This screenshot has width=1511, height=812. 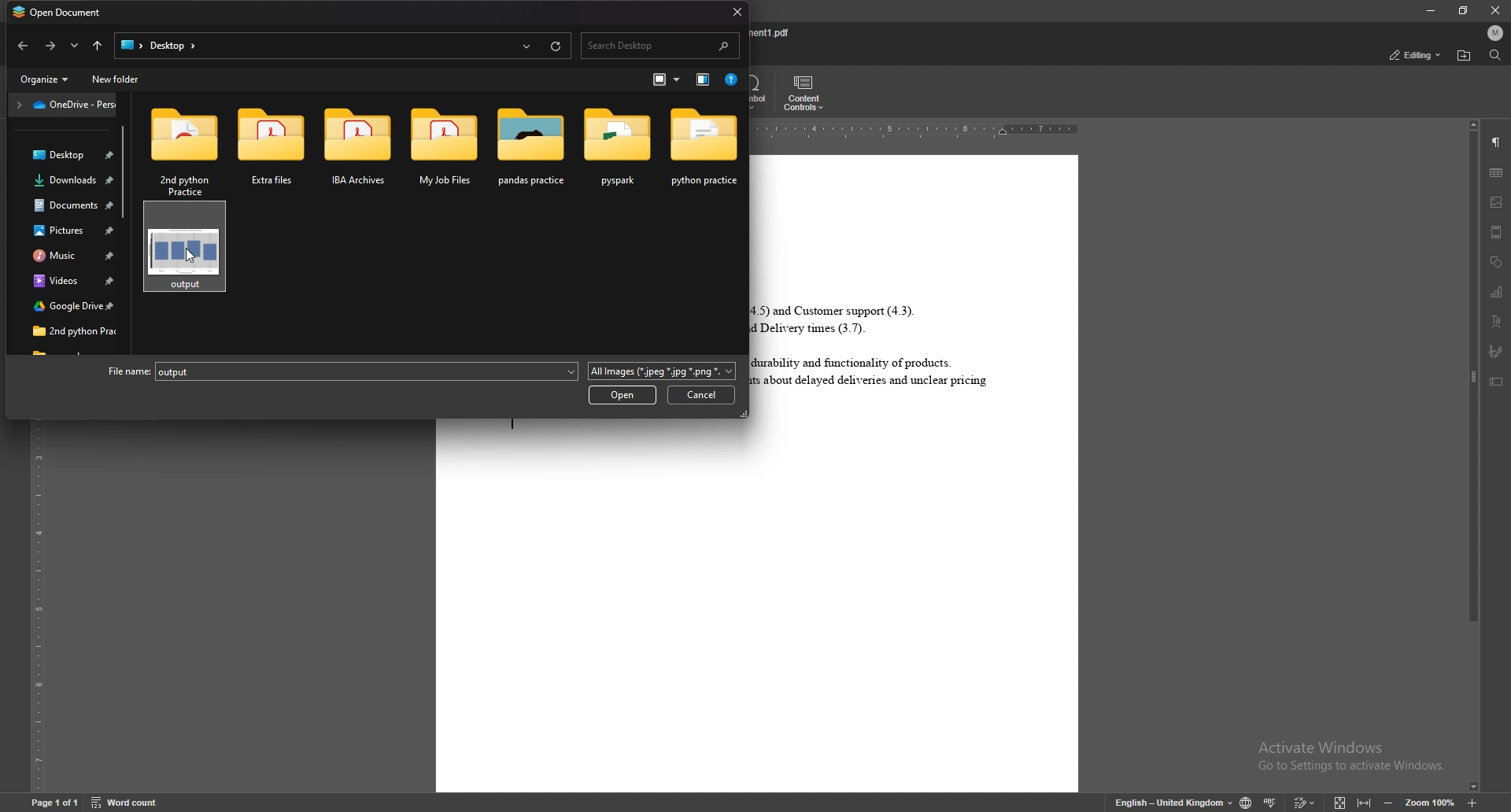 What do you see at coordinates (1428, 802) in the screenshot?
I see `zoom percentage` at bounding box center [1428, 802].